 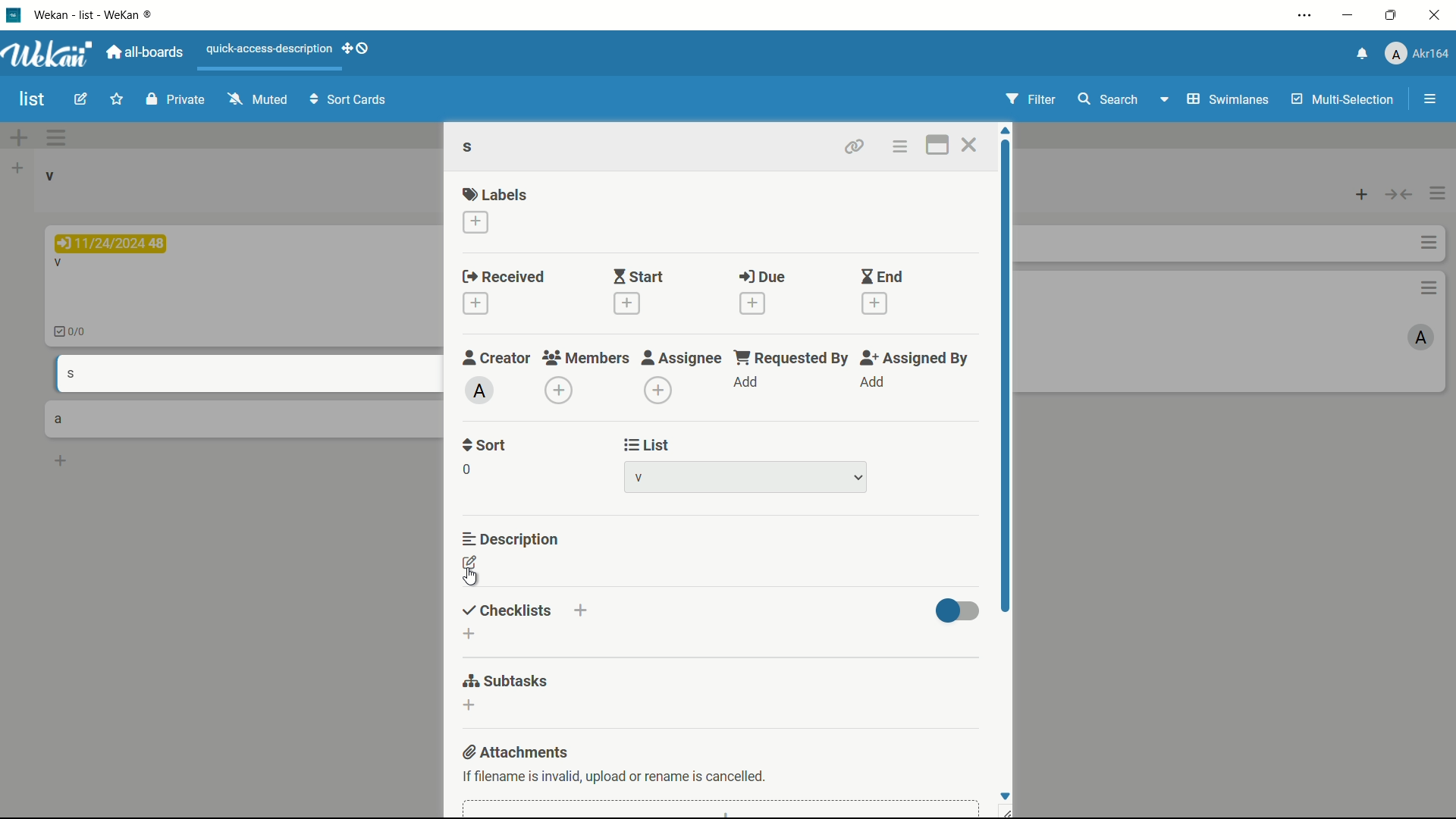 I want to click on all boards, so click(x=144, y=52).